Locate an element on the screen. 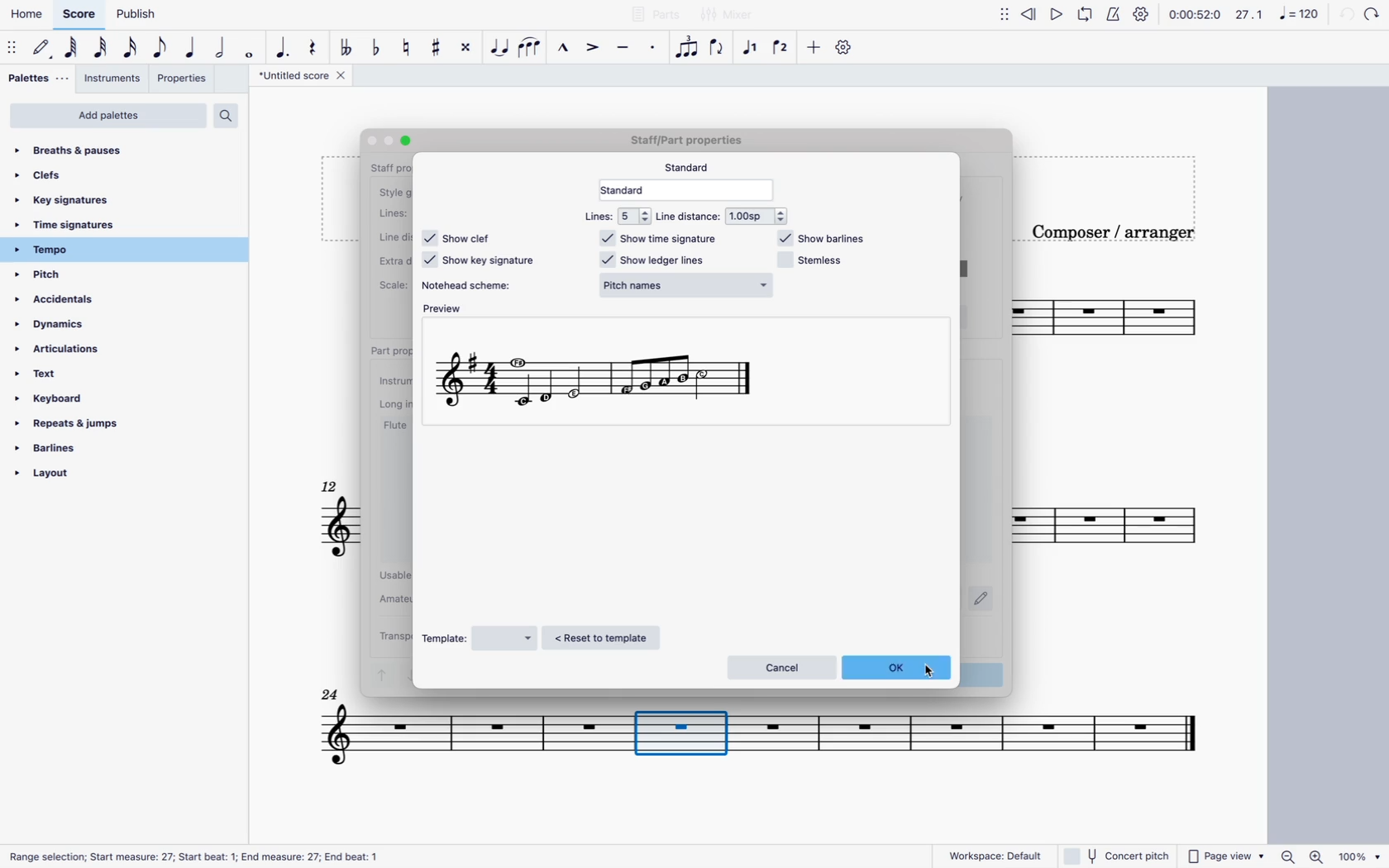 This screenshot has height=868, width=1389. double note is located at coordinates (221, 47).